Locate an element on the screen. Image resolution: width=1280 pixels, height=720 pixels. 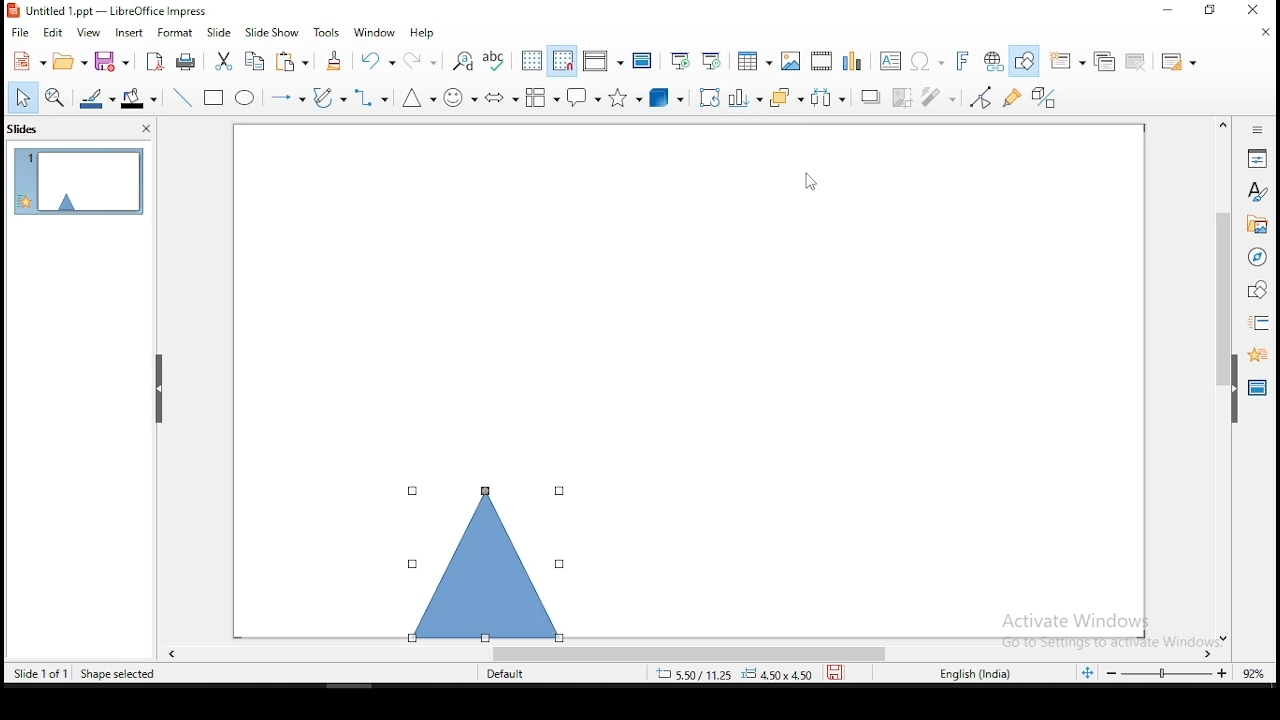
animation is located at coordinates (1256, 355).